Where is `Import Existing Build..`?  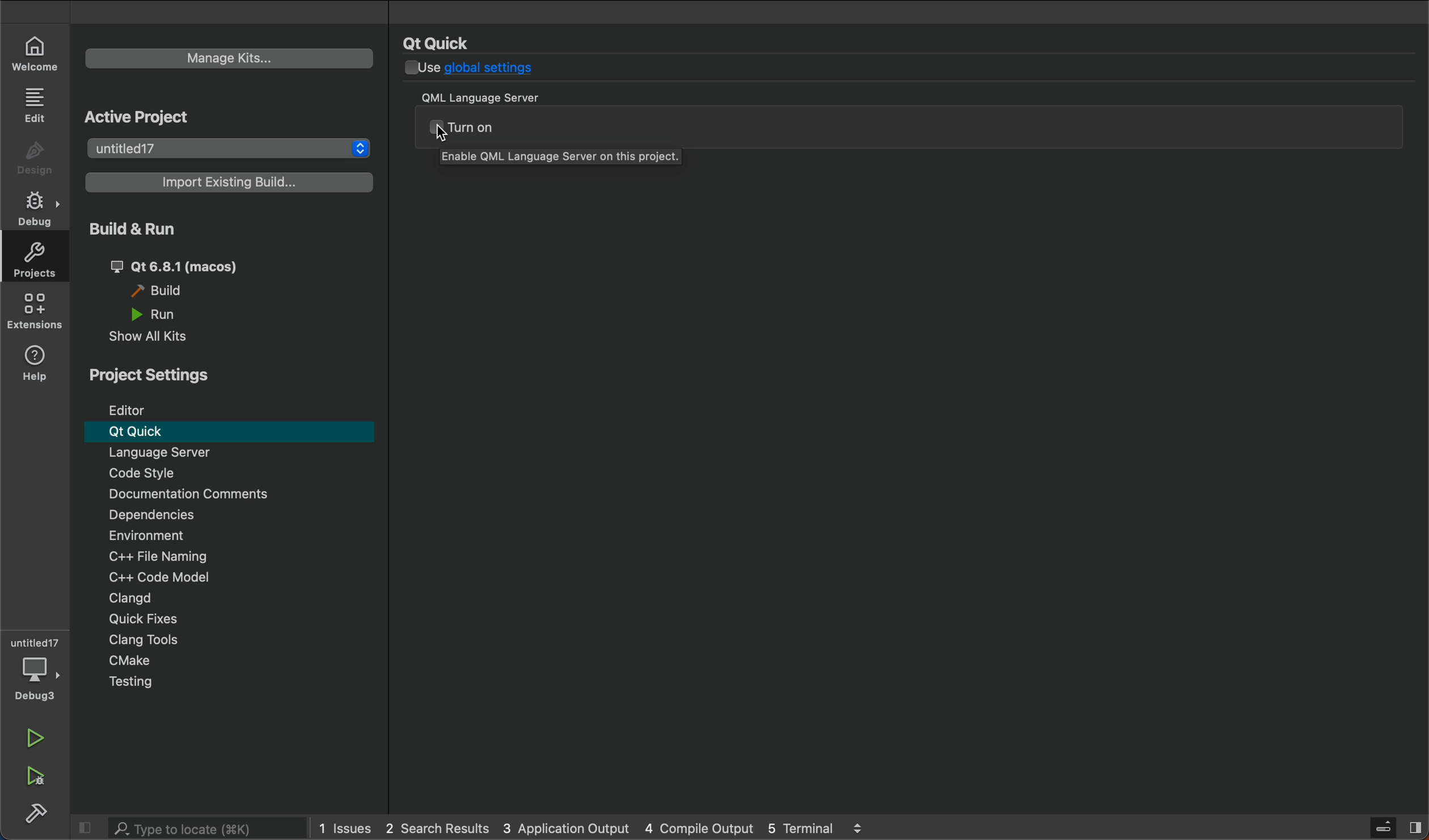 Import Existing Build.. is located at coordinates (229, 183).